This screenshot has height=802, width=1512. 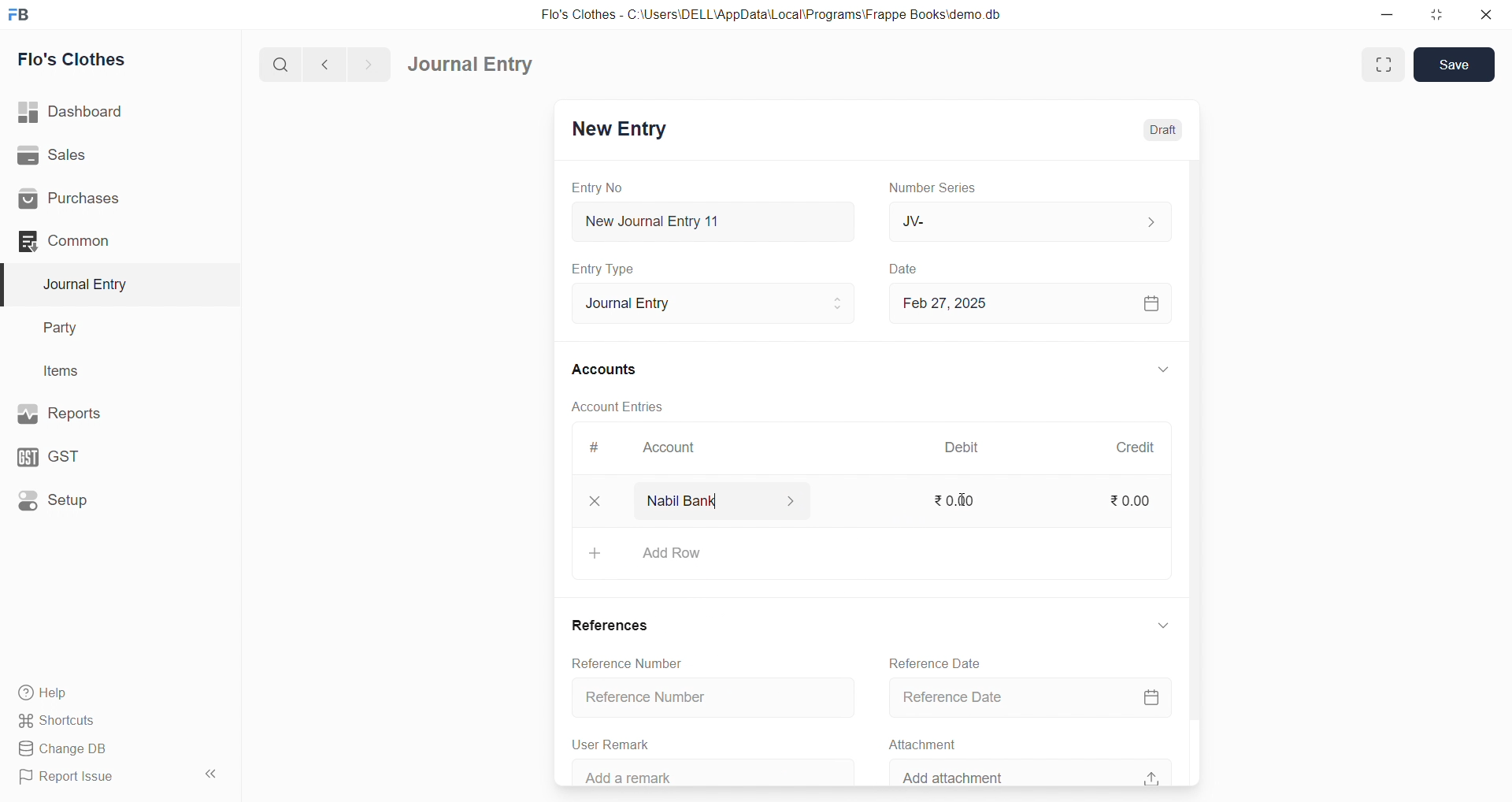 What do you see at coordinates (9, 284) in the screenshot?
I see `selected` at bounding box center [9, 284].